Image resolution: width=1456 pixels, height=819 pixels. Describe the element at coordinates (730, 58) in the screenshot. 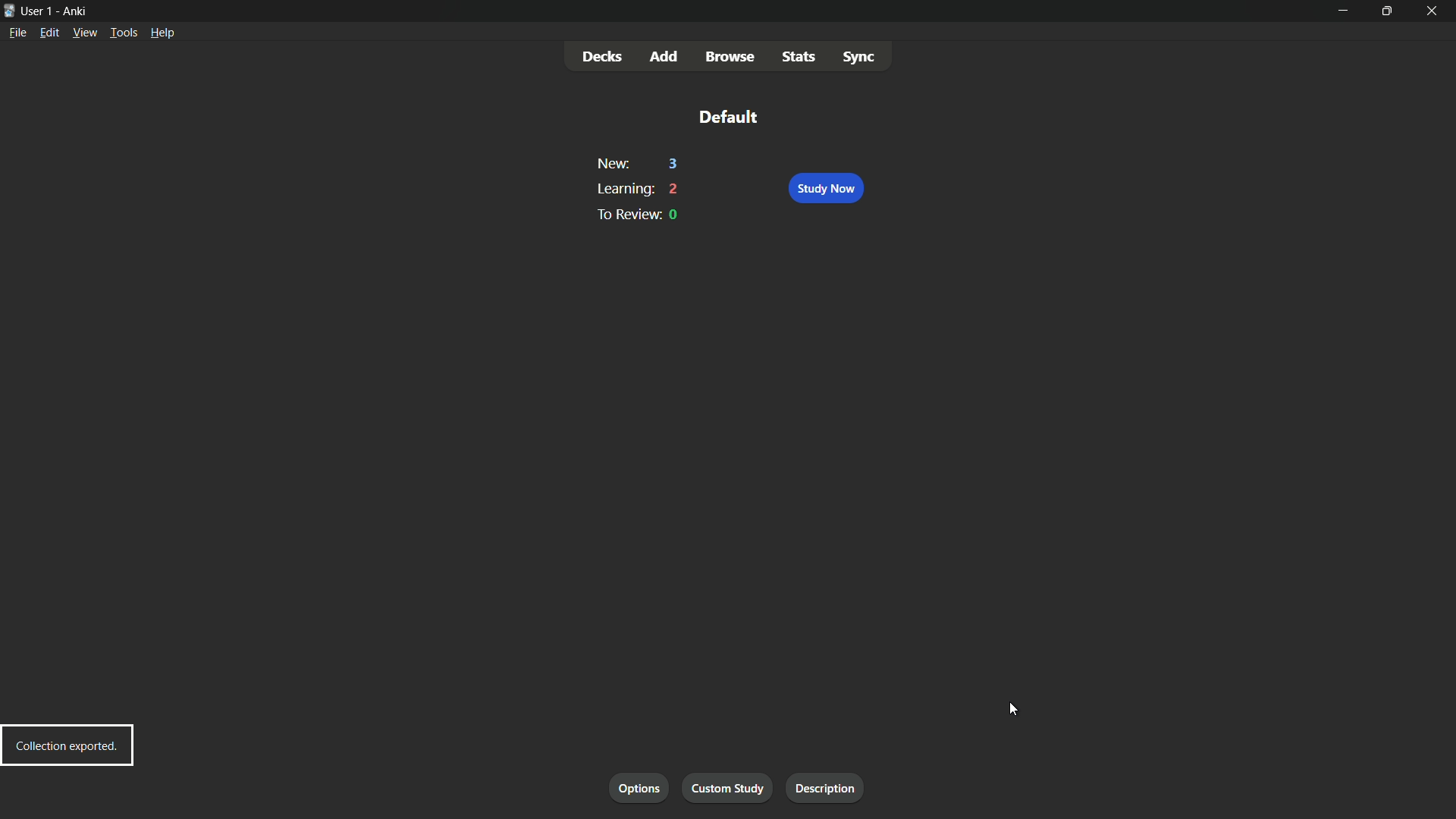

I see `browse` at that location.